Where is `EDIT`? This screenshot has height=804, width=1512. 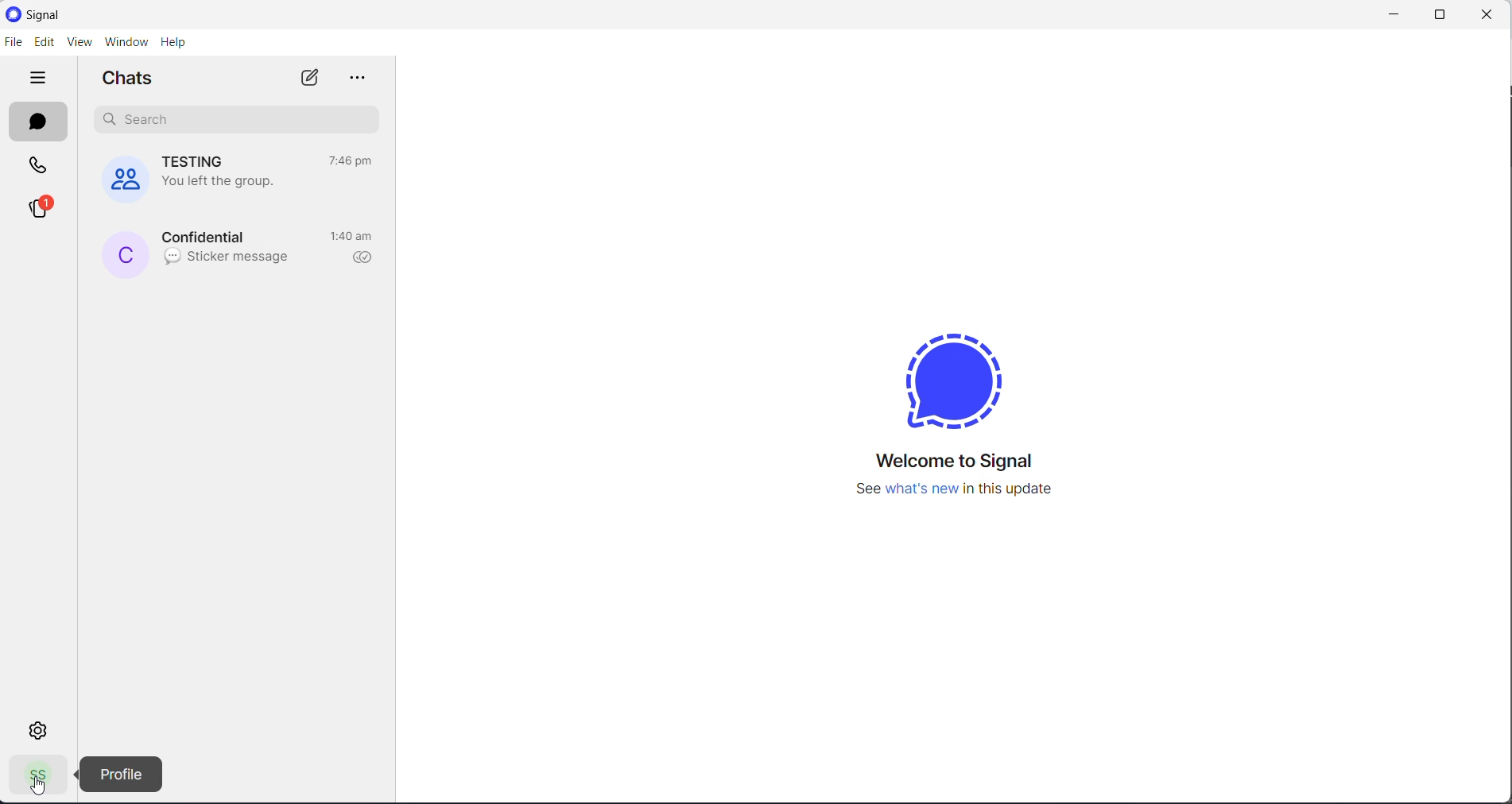
EDIT is located at coordinates (42, 43).